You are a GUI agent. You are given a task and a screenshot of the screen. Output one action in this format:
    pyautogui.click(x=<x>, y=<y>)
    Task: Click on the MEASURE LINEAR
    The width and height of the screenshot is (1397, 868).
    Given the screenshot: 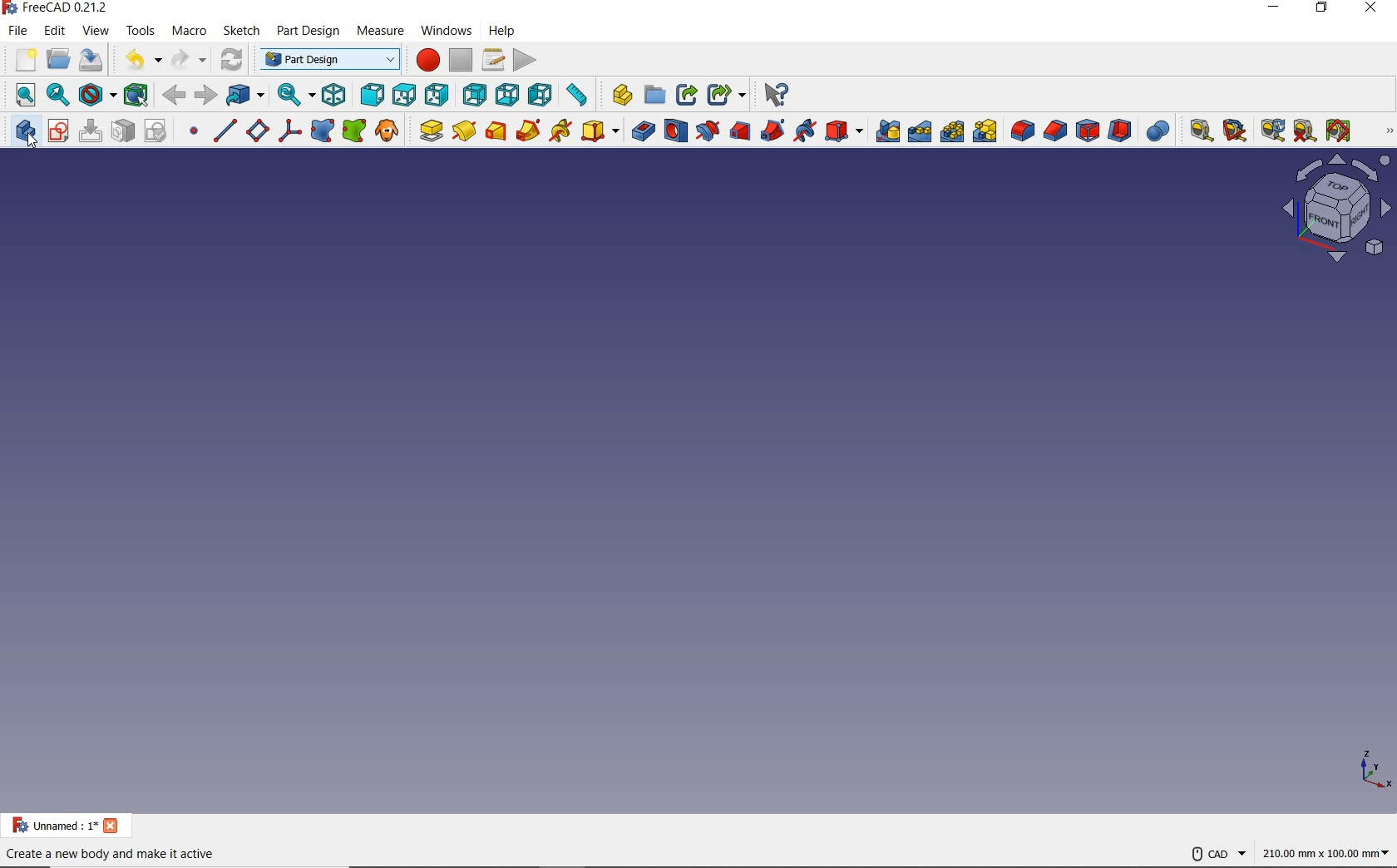 What is the action you would take?
    pyautogui.click(x=1199, y=129)
    